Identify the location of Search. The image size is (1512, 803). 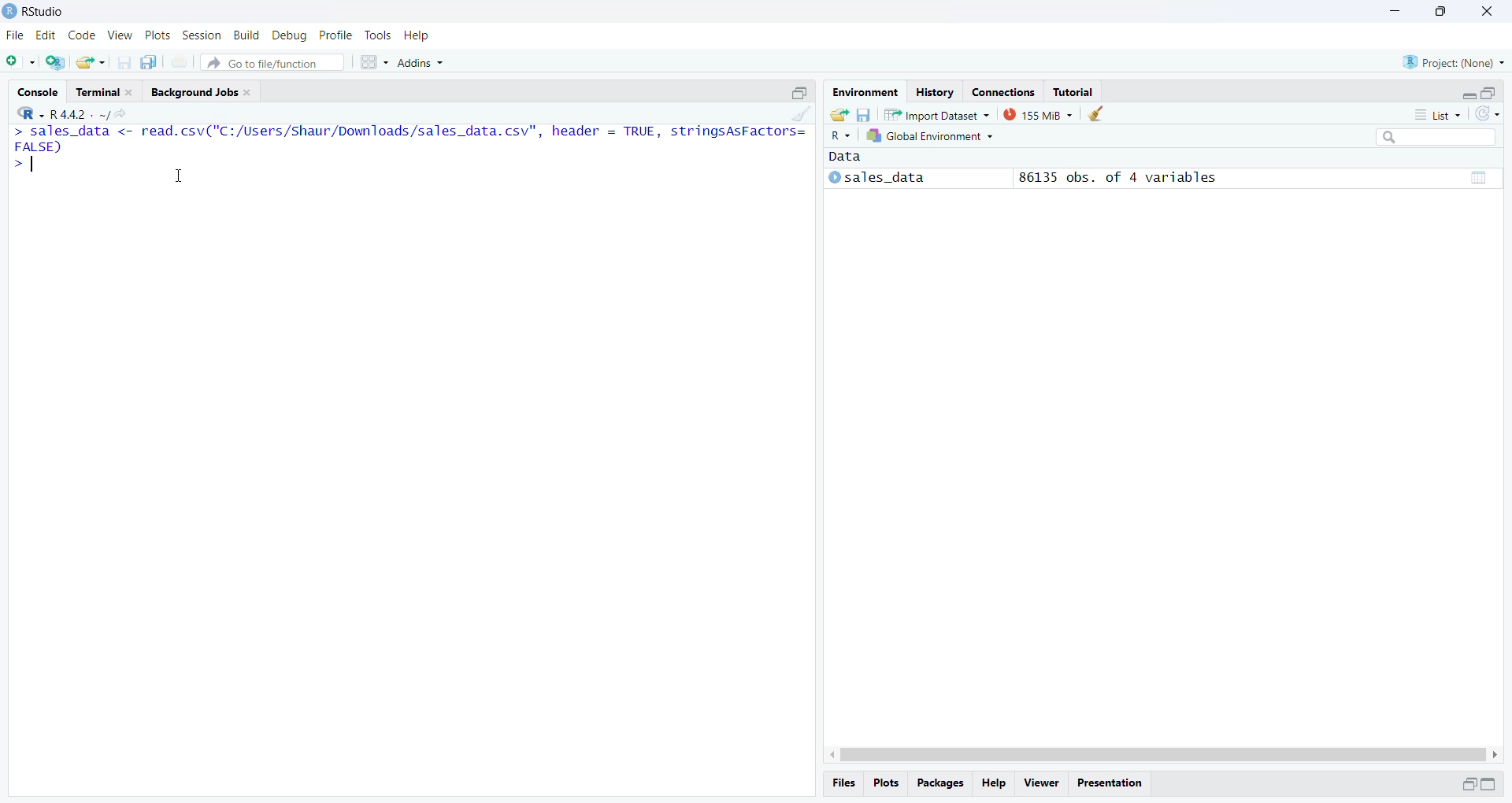
(1435, 139).